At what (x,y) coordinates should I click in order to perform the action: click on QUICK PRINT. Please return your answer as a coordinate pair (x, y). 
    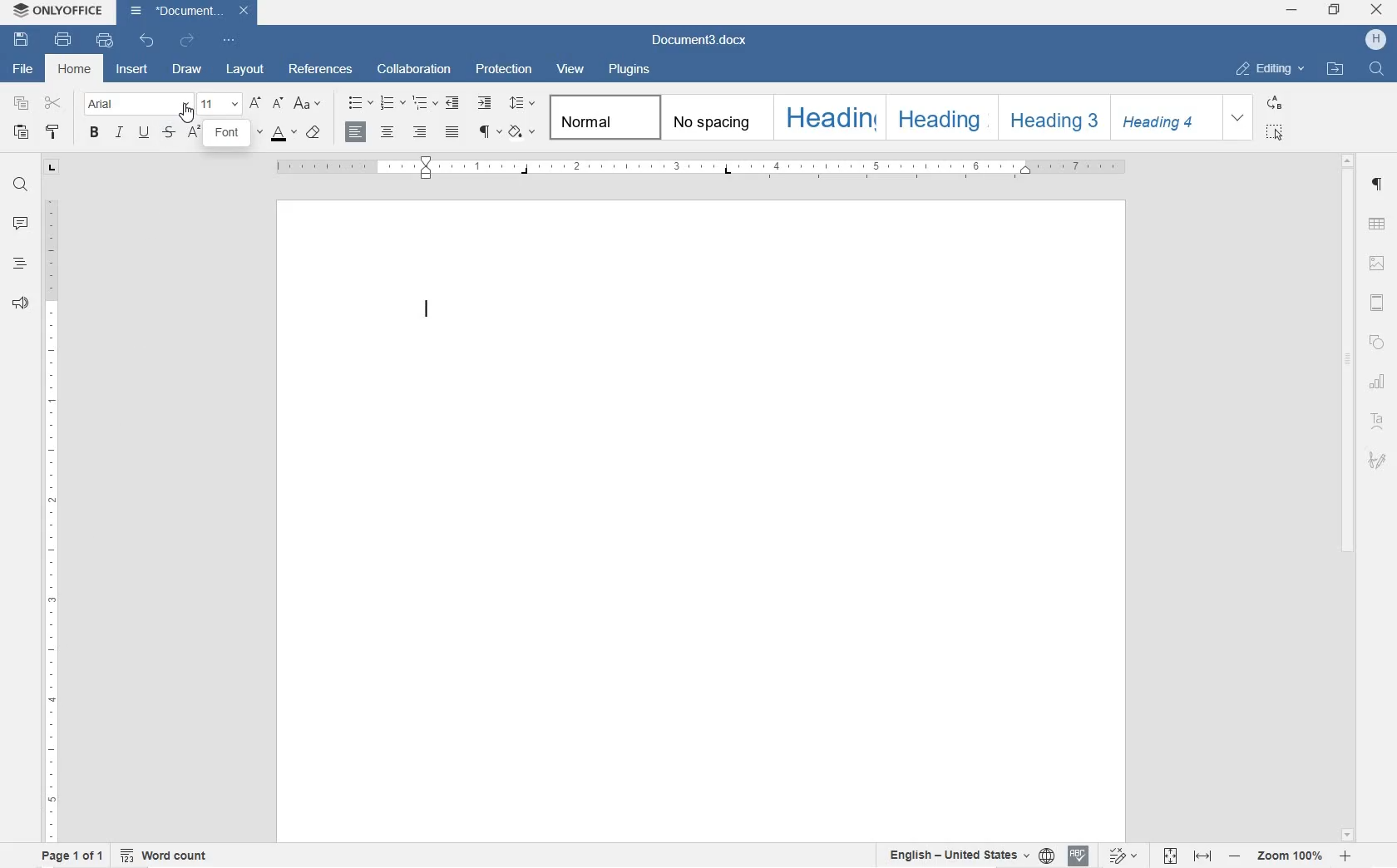
    Looking at the image, I should click on (102, 40).